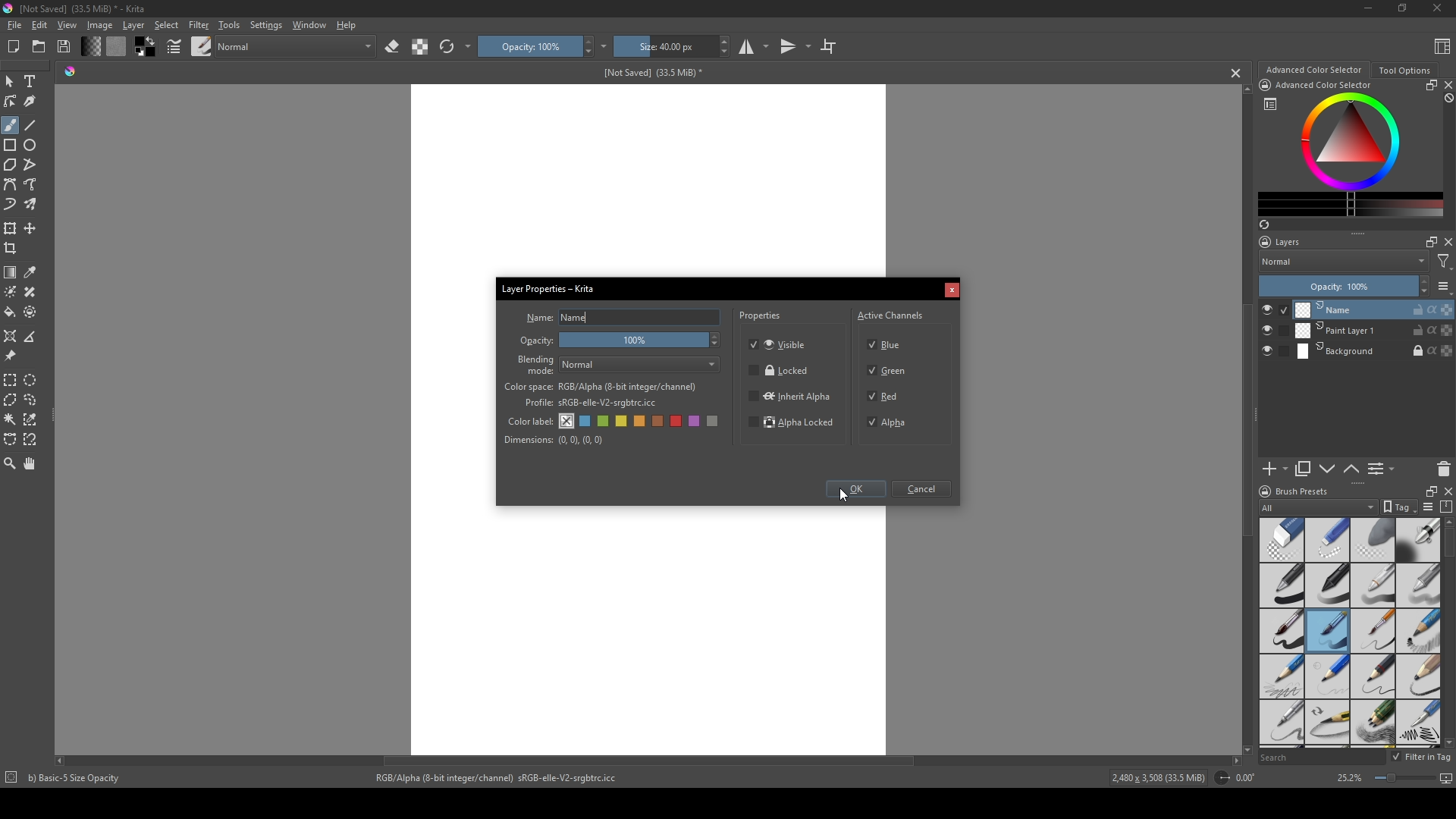 The height and width of the screenshot is (819, 1456). I want to click on change color, so click(1351, 204).